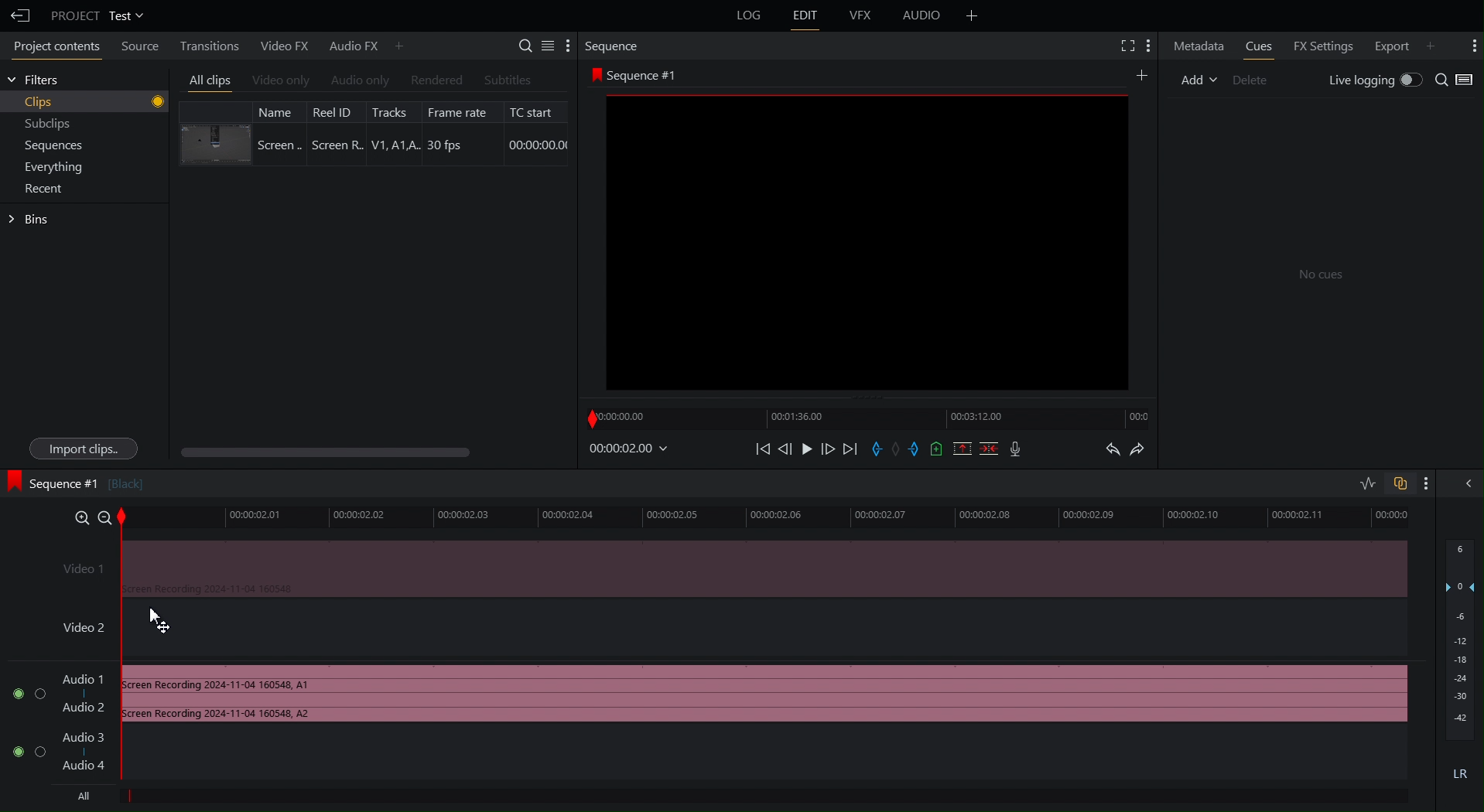 Image resolution: width=1484 pixels, height=812 pixels. What do you see at coordinates (19, 13) in the screenshot?
I see `Back` at bounding box center [19, 13].